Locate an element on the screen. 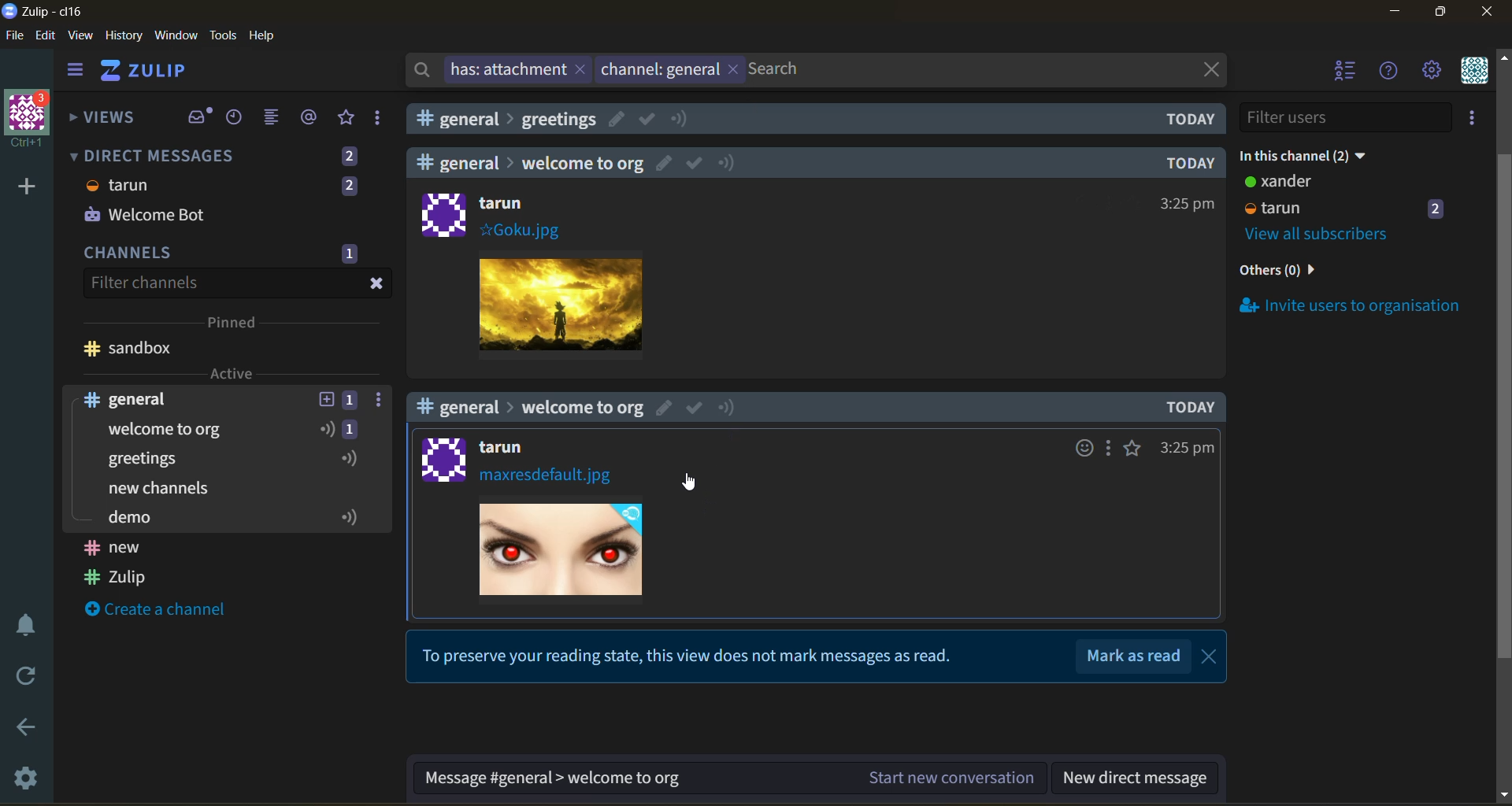 Image resolution: width=1512 pixels, height=806 pixels. scroll bar is located at coordinates (1503, 427).